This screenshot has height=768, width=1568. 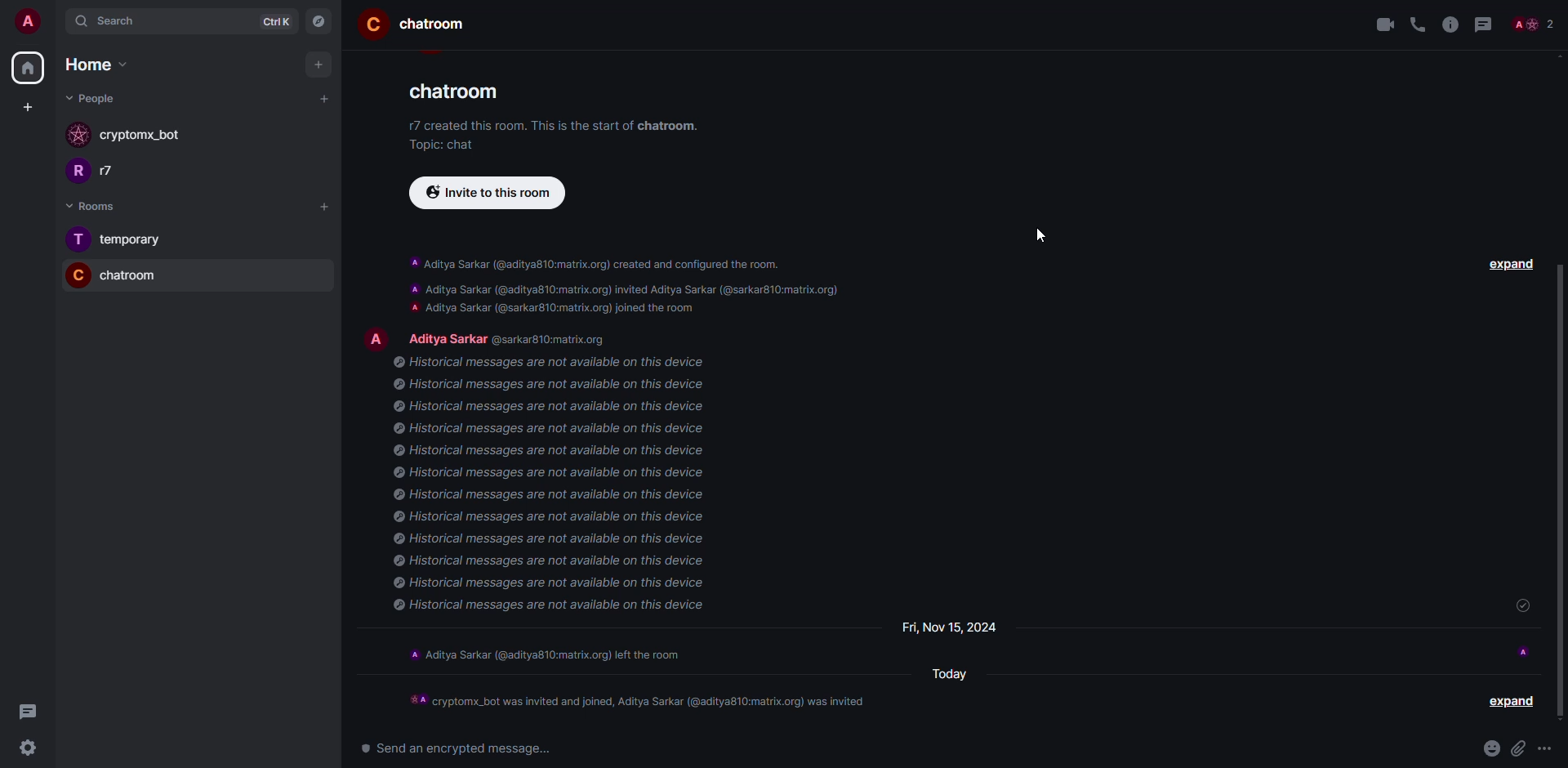 I want to click on expand, so click(x=1511, y=268).